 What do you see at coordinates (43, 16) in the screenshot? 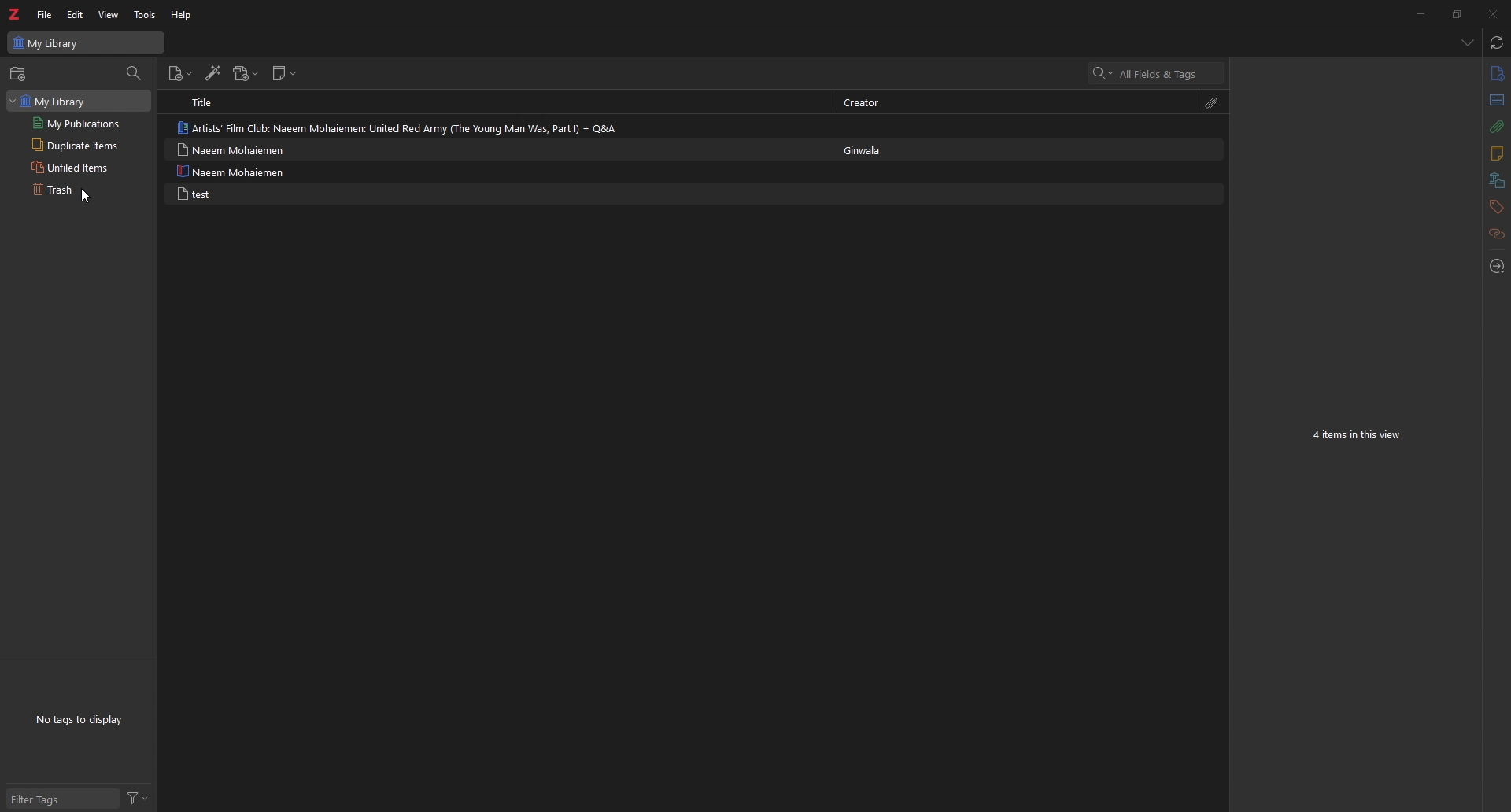
I see `file` at bounding box center [43, 16].